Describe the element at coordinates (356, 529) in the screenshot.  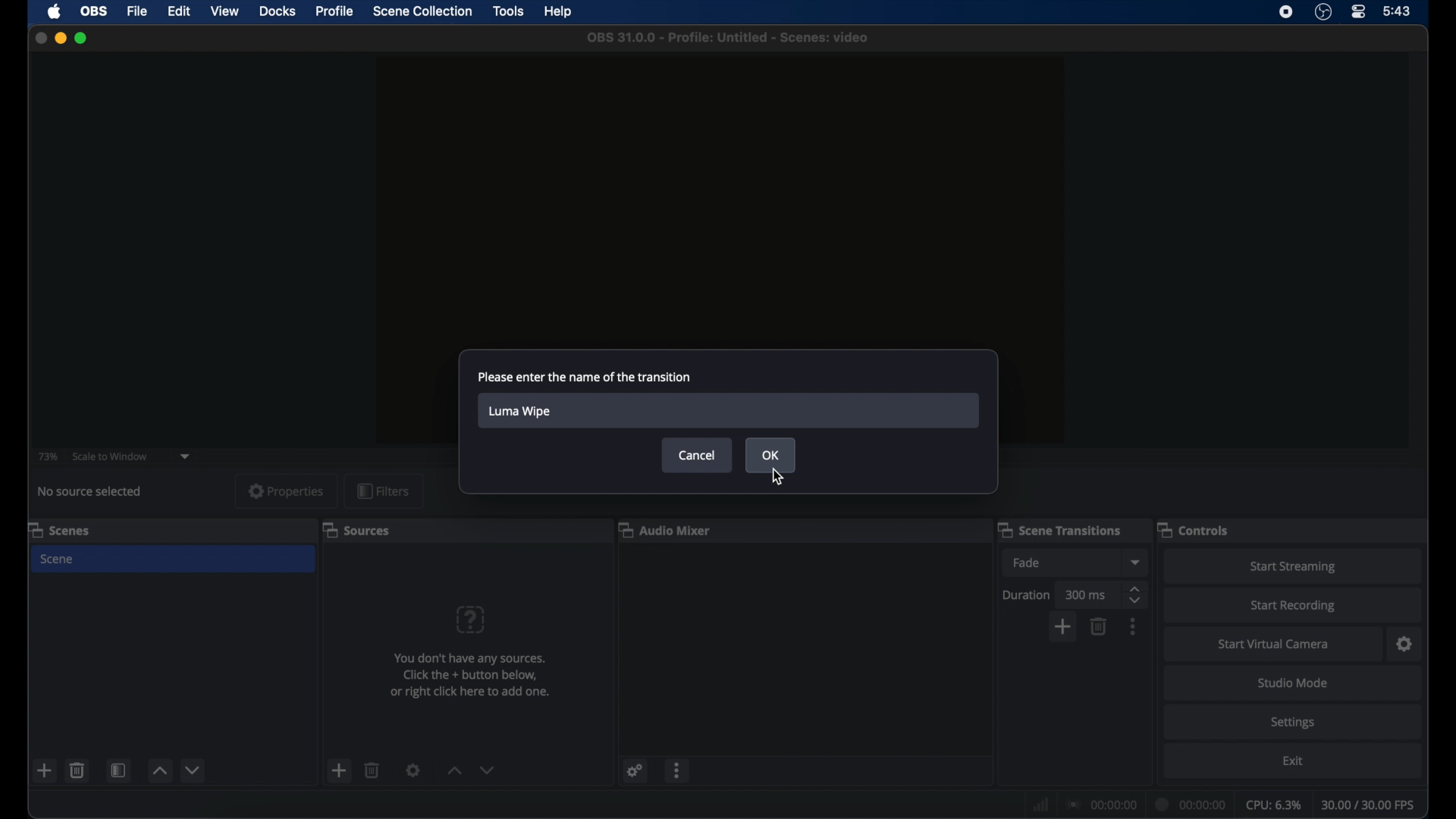
I see `sources` at that location.